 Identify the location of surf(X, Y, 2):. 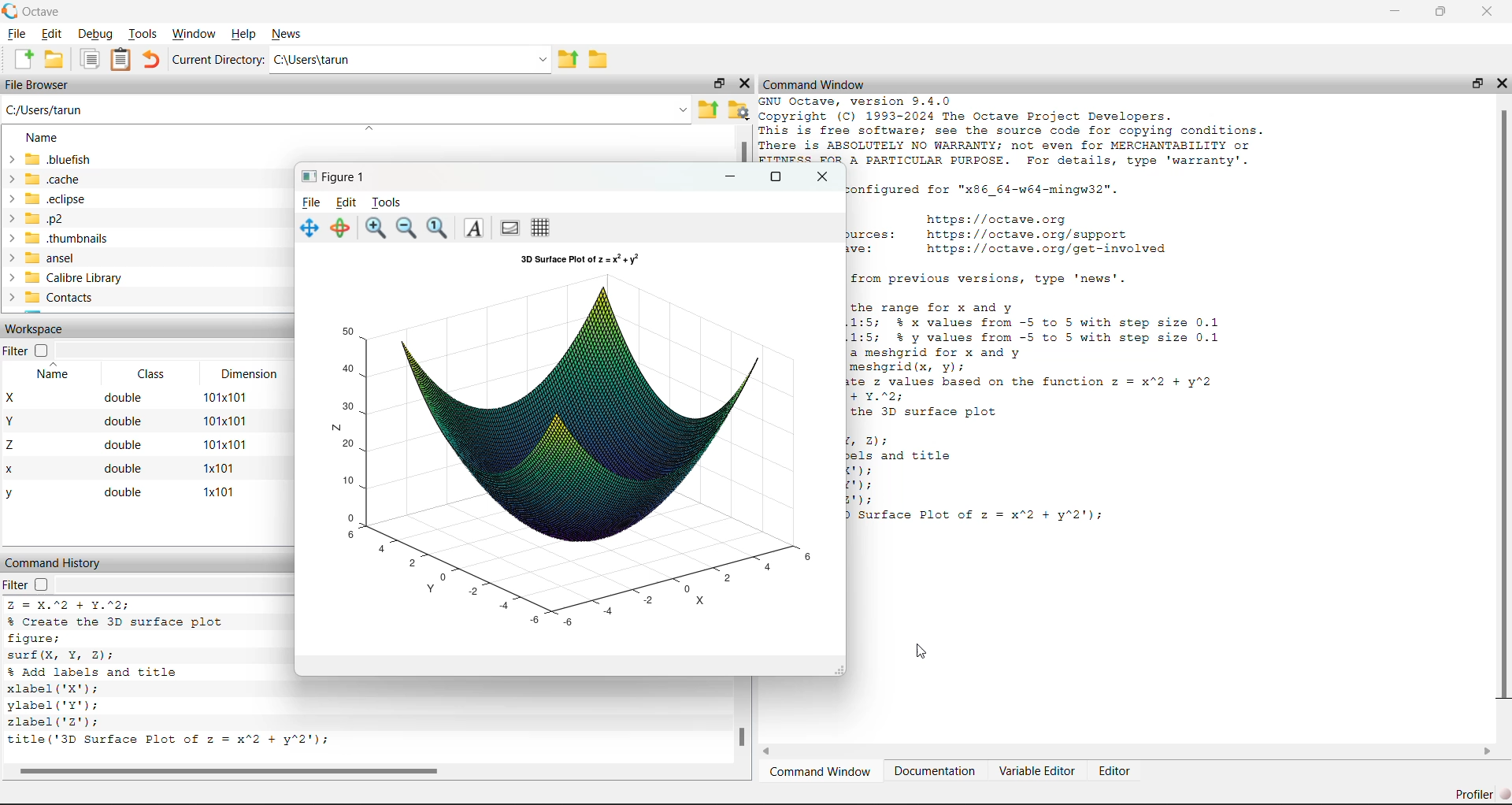
(61, 655).